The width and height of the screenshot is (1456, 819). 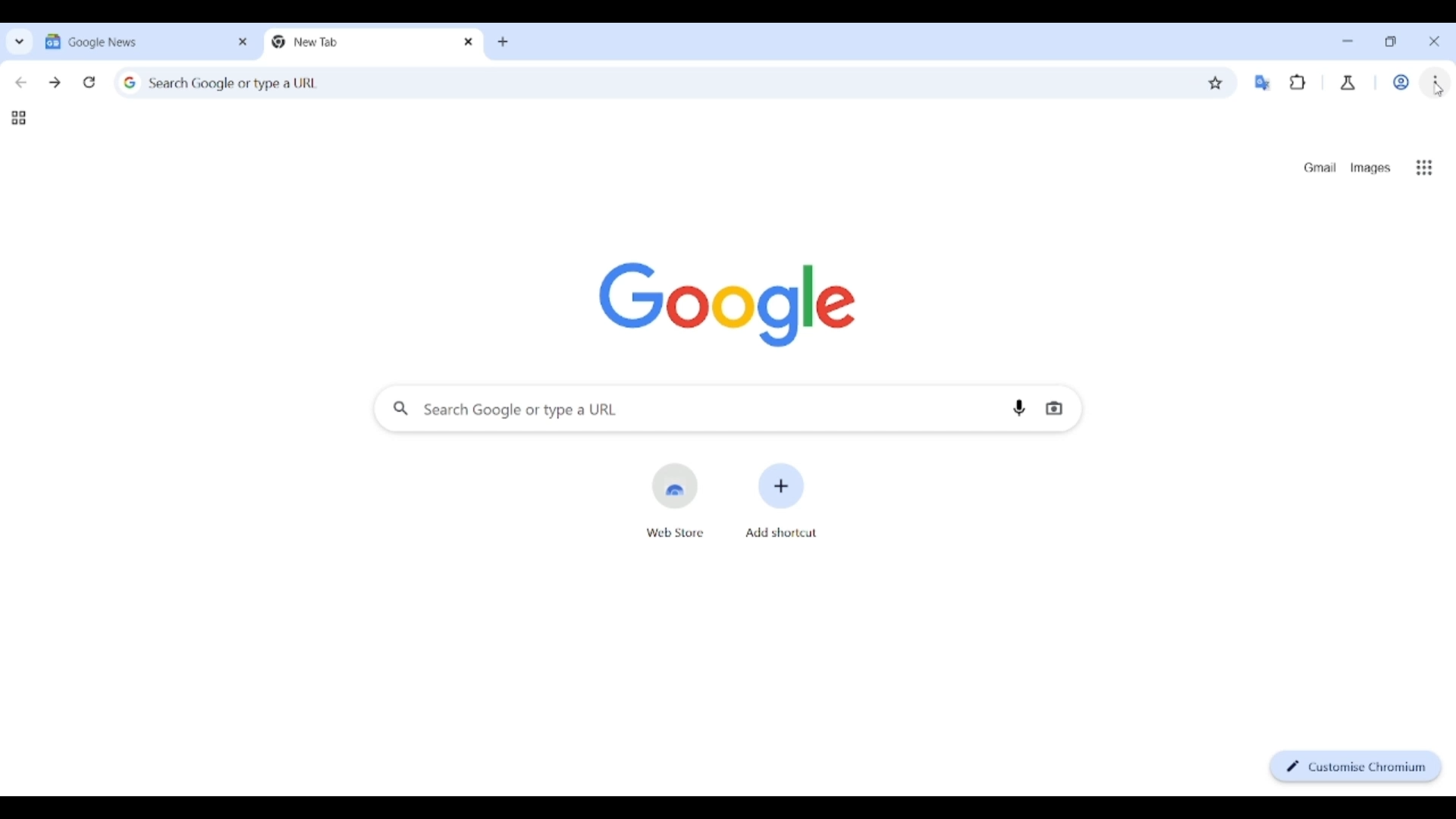 What do you see at coordinates (780, 500) in the screenshot?
I see `Add shortcut from another website` at bounding box center [780, 500].